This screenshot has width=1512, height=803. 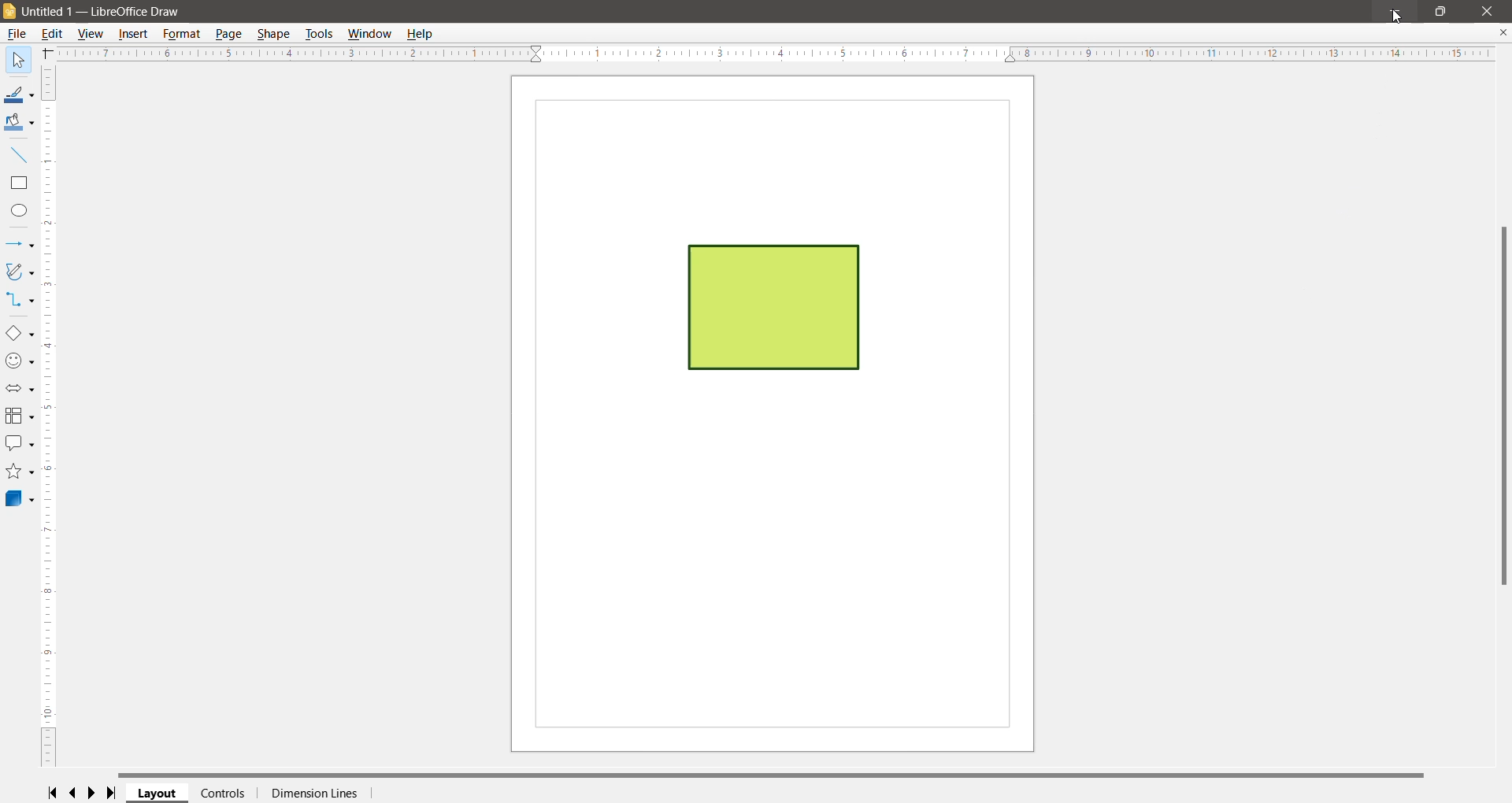 What do you see at coordinates (423, 34) in the screenshot?
I see `Help` at bounding box center [423, 34].